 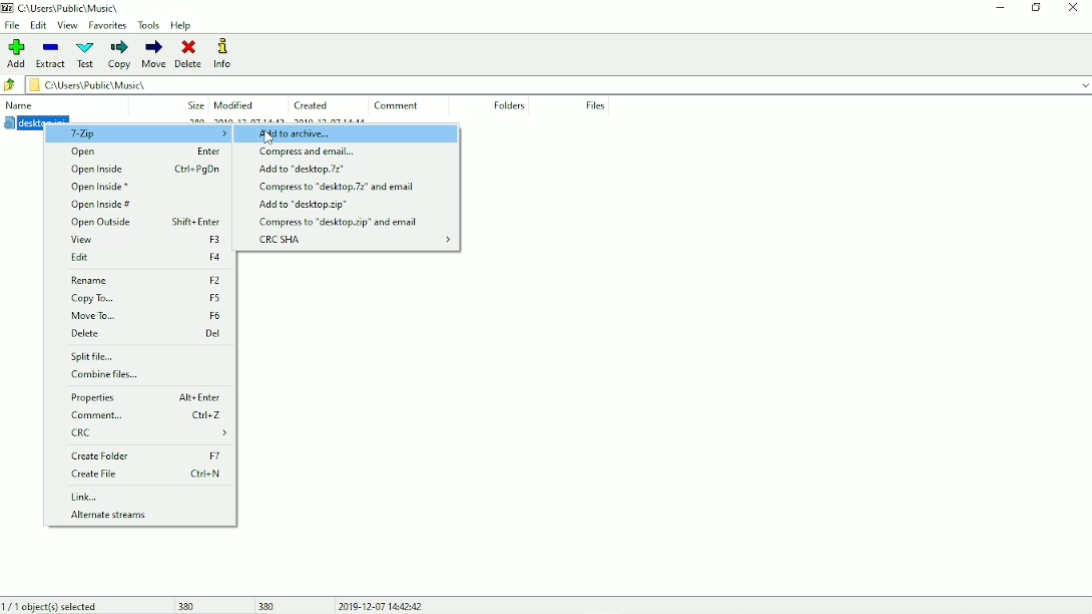 I want to click on Comment, so click(x=400, y=106).